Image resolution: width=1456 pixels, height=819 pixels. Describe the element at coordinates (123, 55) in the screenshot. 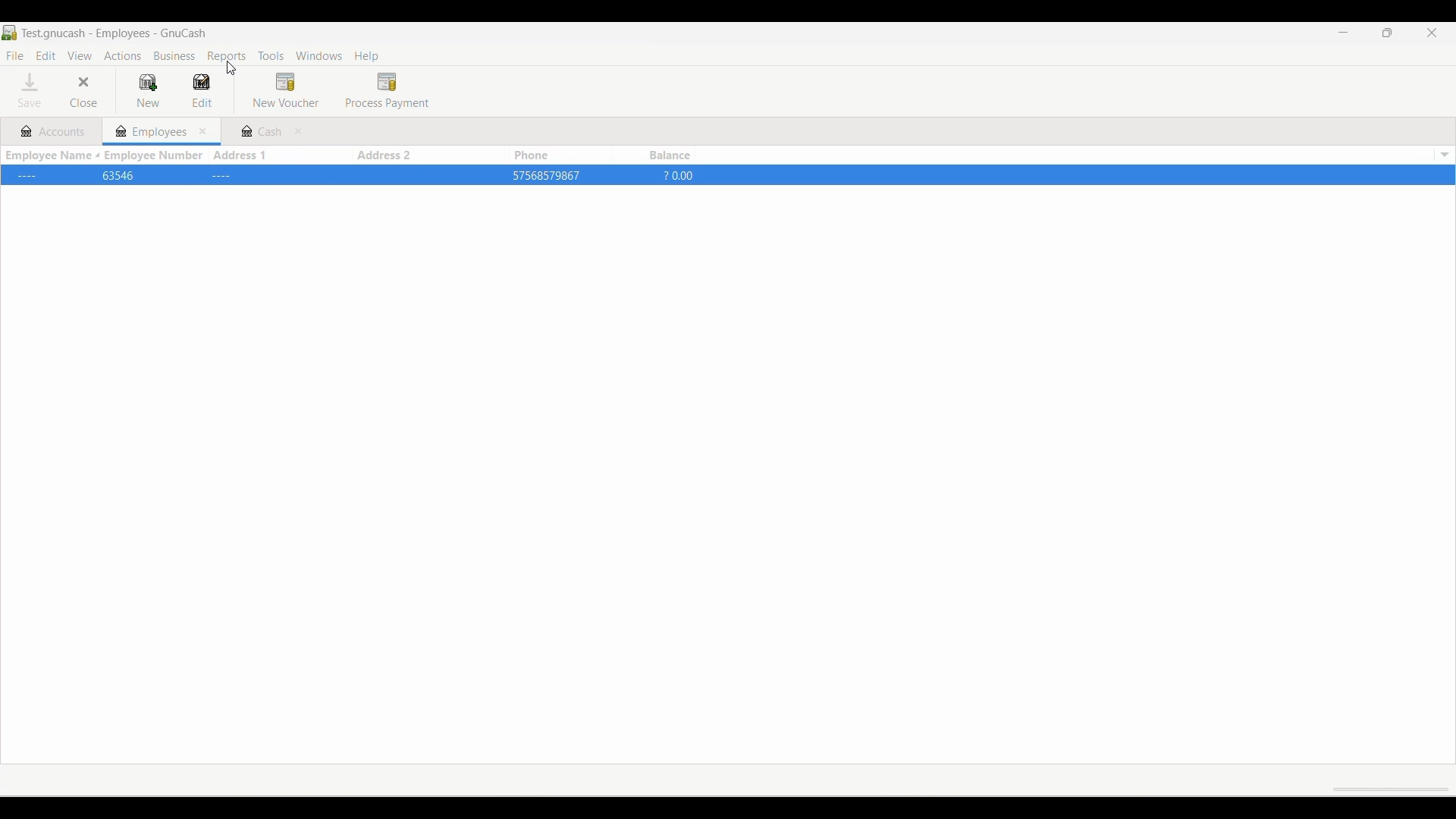

I see `Actions` at that location.